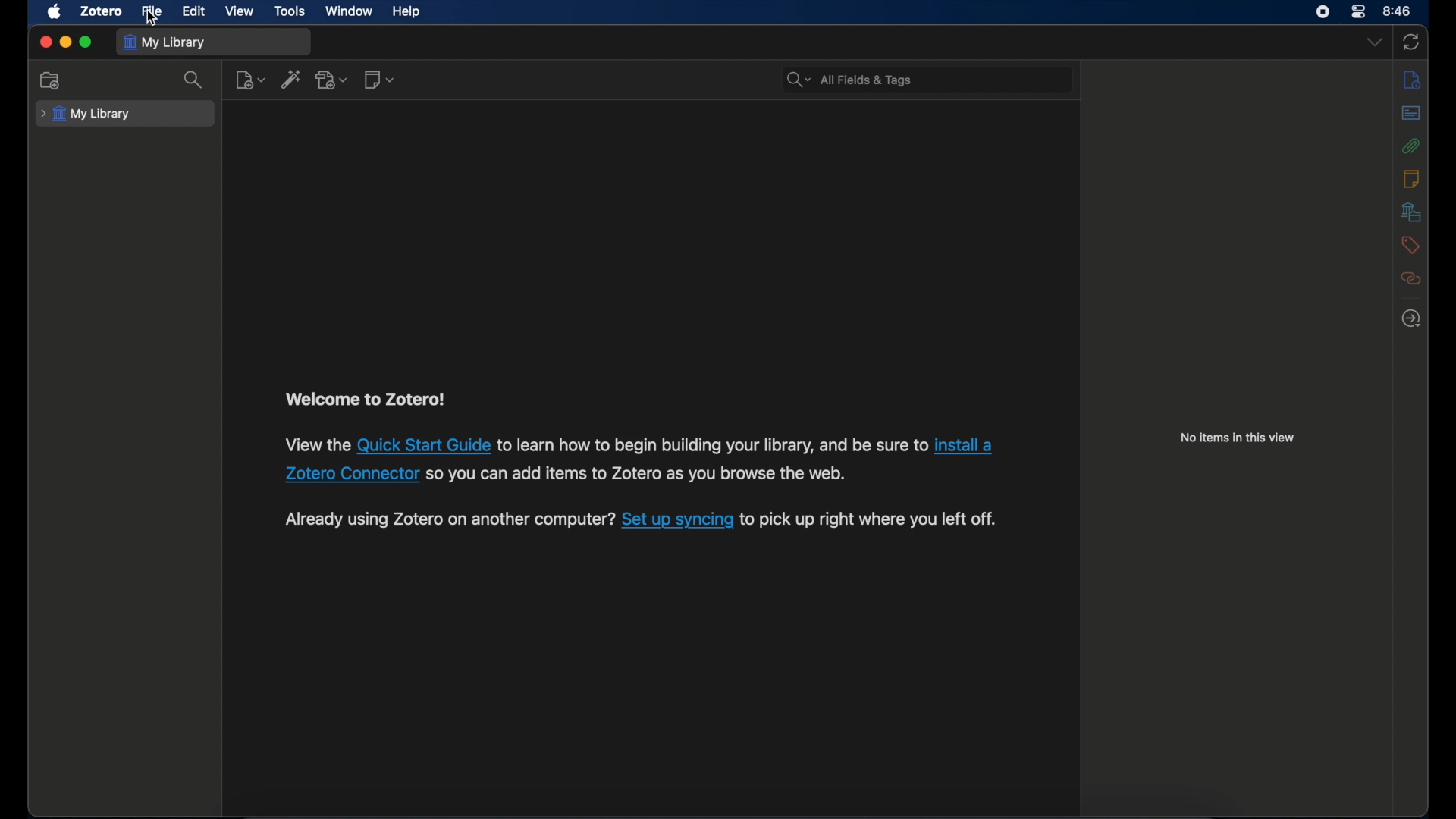 This screenshot has height=819, width=1456. Describe the element at coordinates (799, 79) in the screenshot. I see `search dropdown` at that location.